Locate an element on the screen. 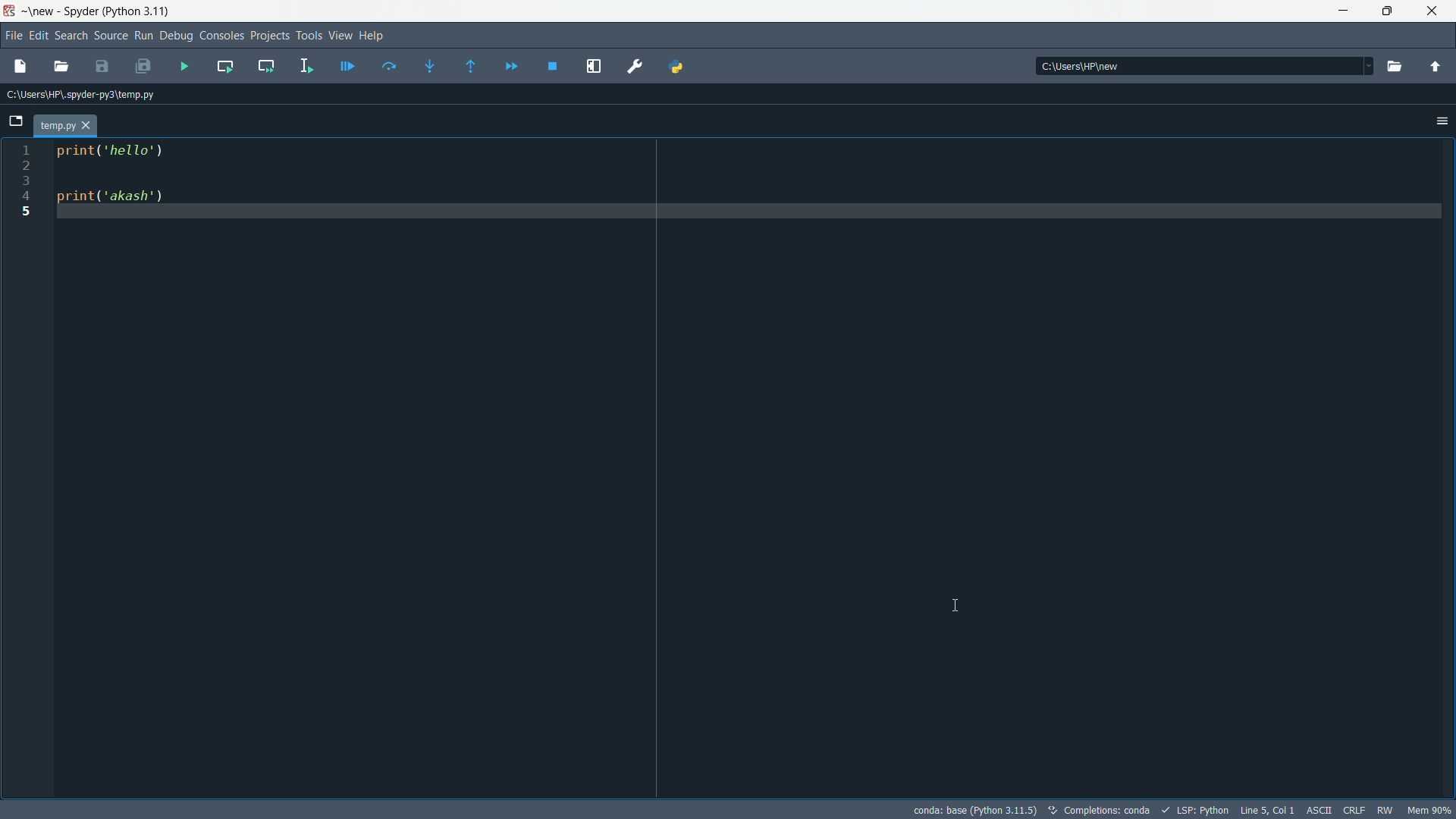 The image size is (1456, 819). cursor is located at coordinates (957, 606).